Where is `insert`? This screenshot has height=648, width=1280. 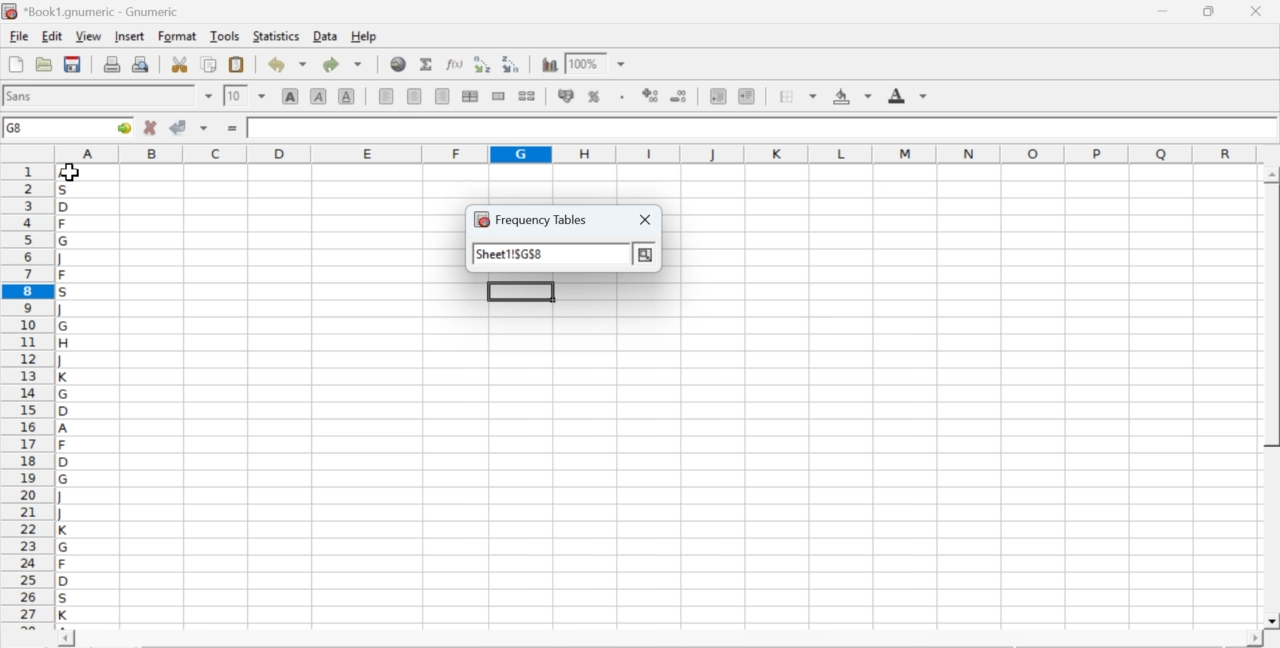
insert is located at coordinates (128, 35).